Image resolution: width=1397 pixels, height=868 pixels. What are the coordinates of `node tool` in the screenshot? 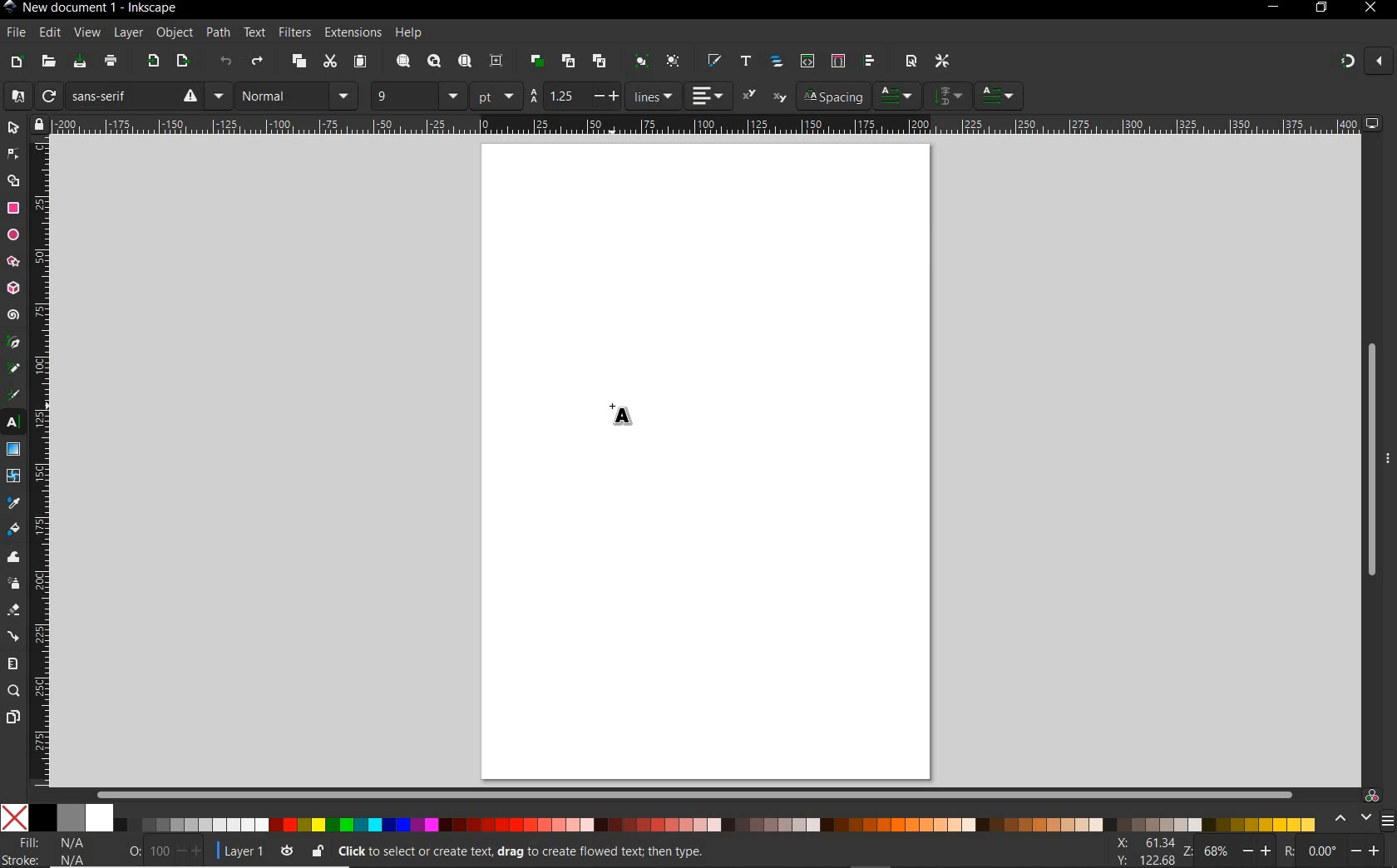 It's located at (13, 154).